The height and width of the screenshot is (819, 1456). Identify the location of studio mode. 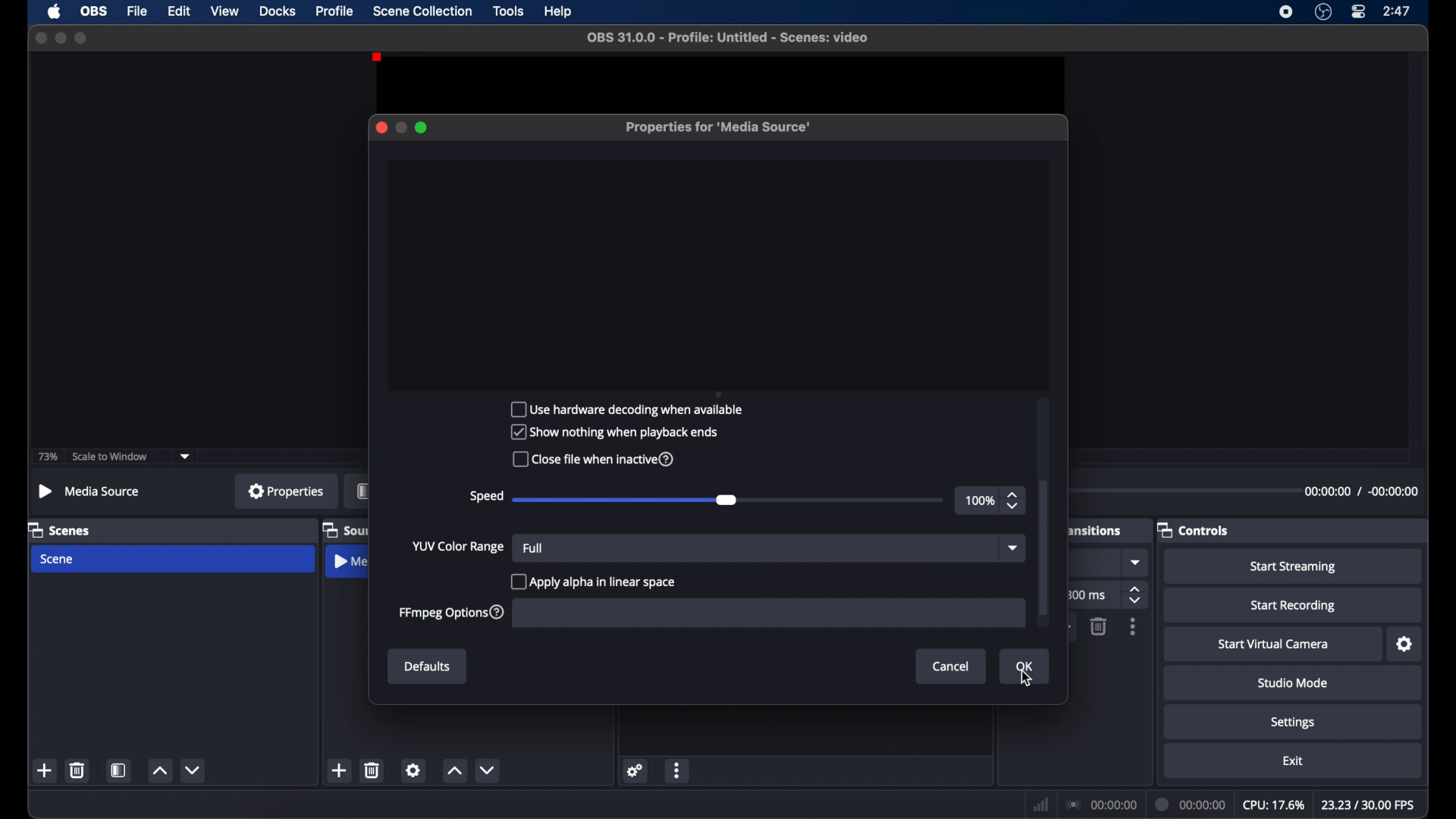
(1293, 684).